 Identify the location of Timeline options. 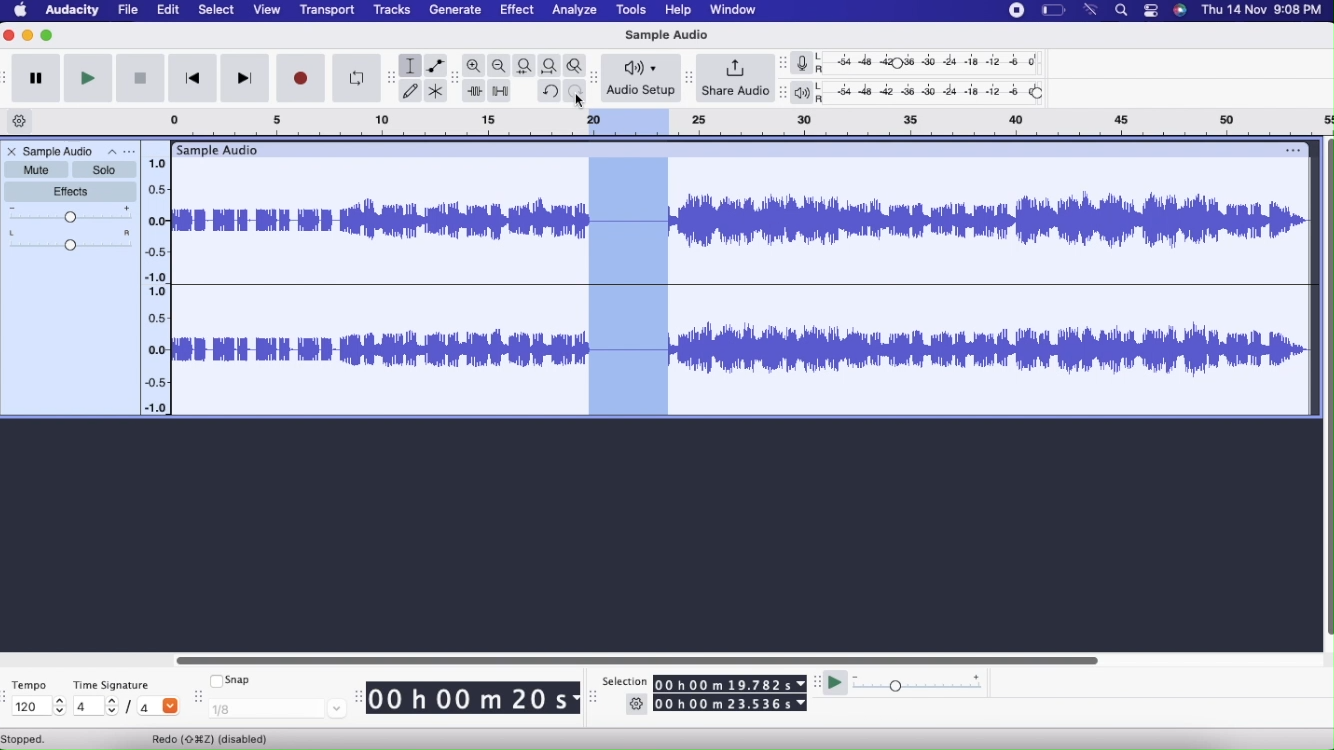
(18, 121).